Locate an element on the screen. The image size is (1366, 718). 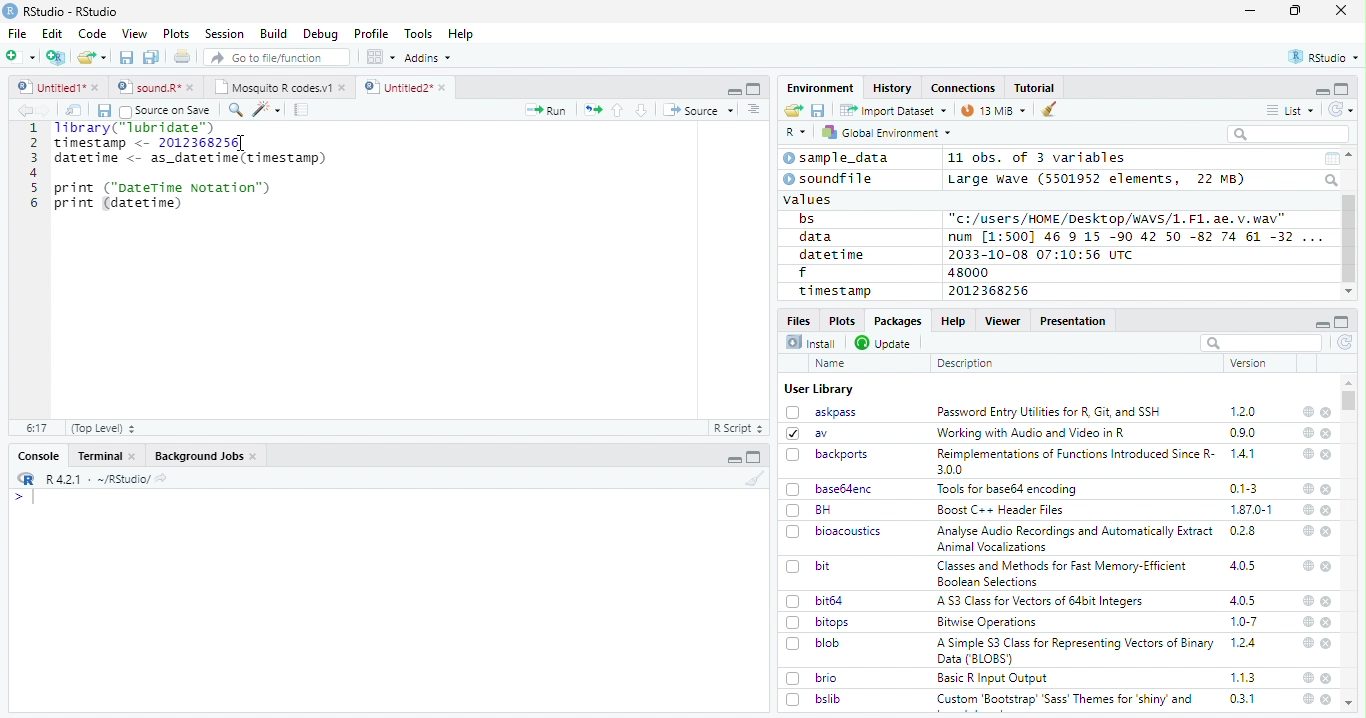
close is located at coordinates (1327, 623).